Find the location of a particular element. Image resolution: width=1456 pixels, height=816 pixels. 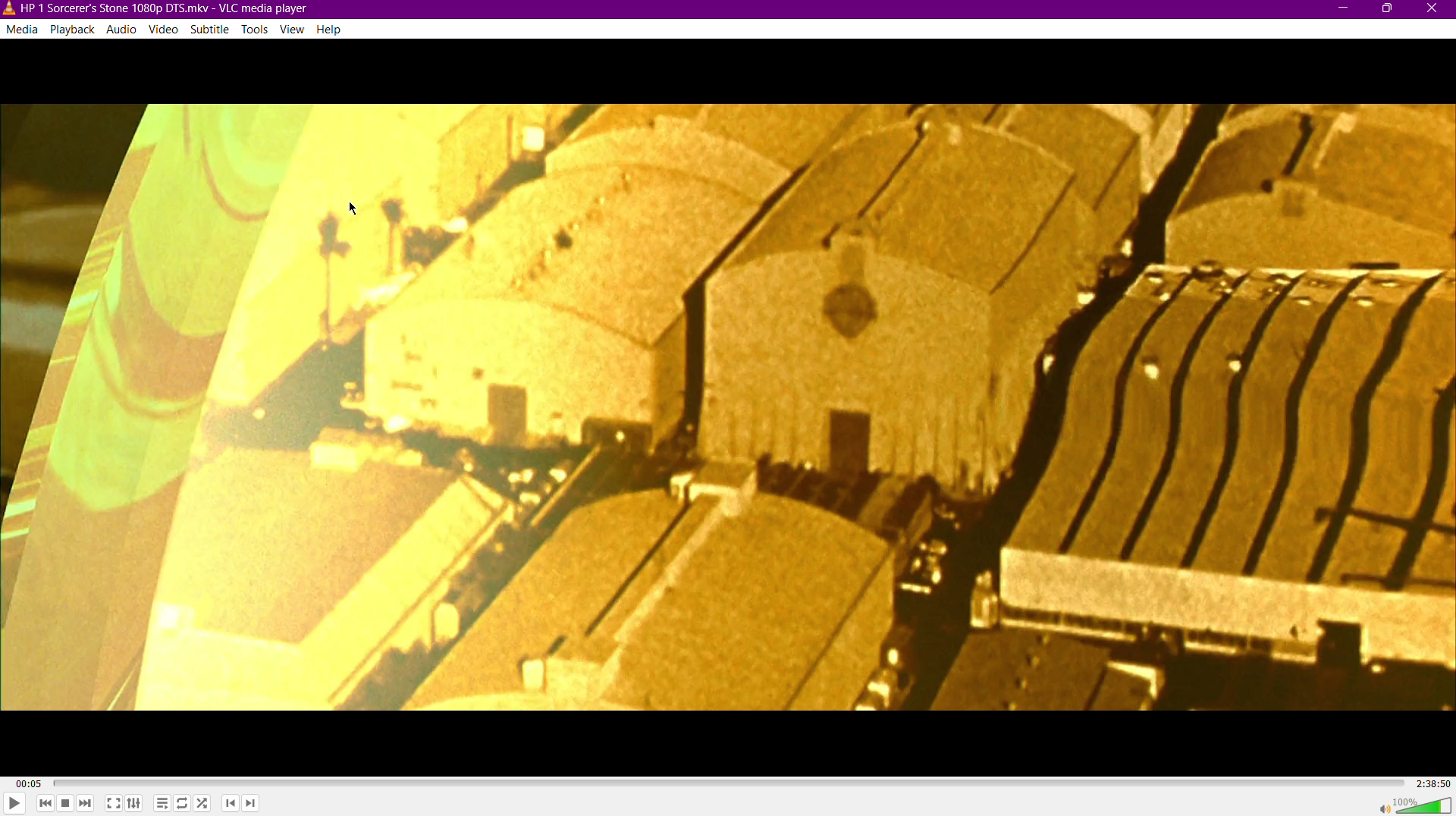

Extended Settings is located at coordinates (133, 802).